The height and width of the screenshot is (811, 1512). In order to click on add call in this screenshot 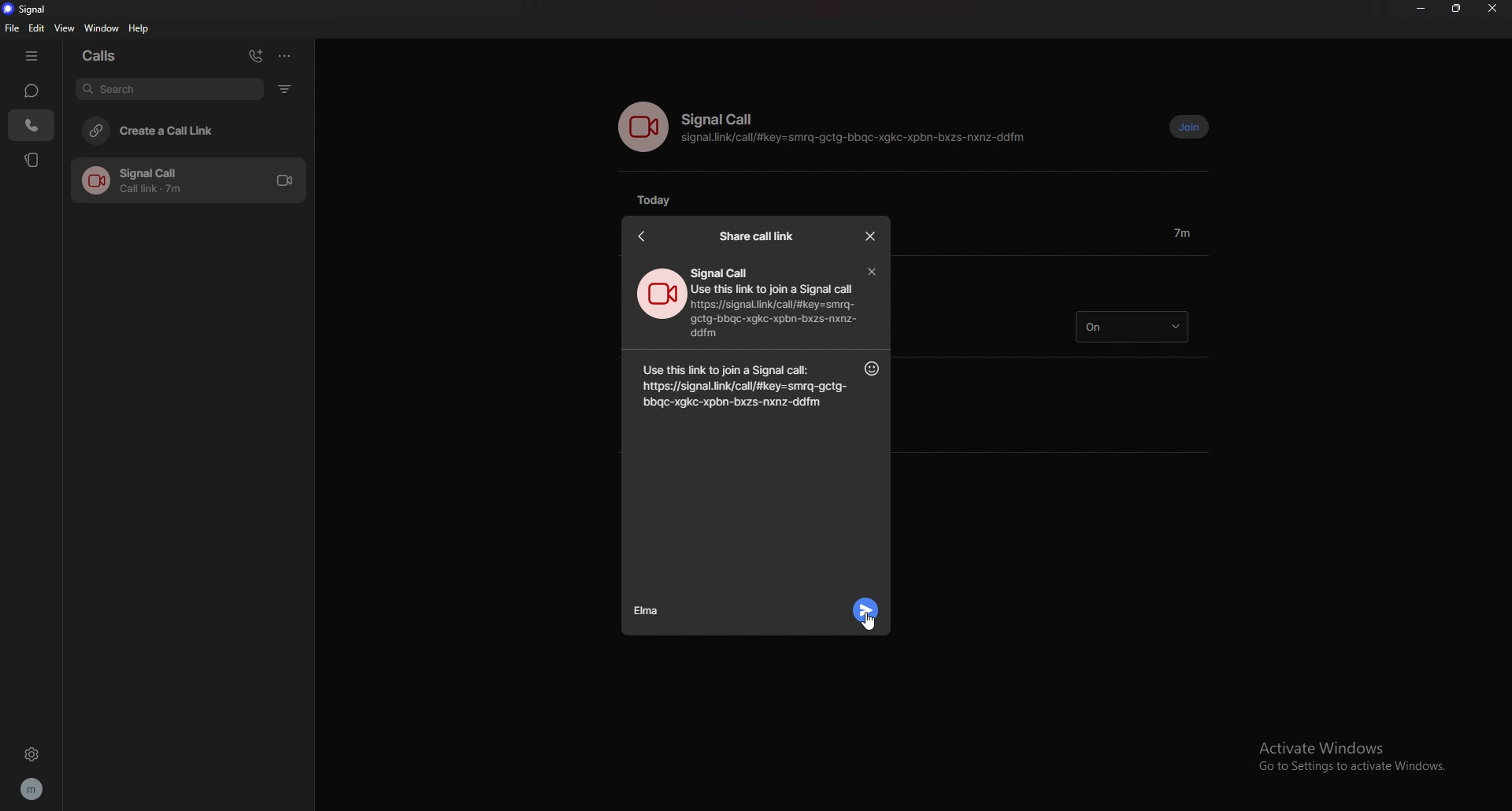, I will do `click(255, 55)`.